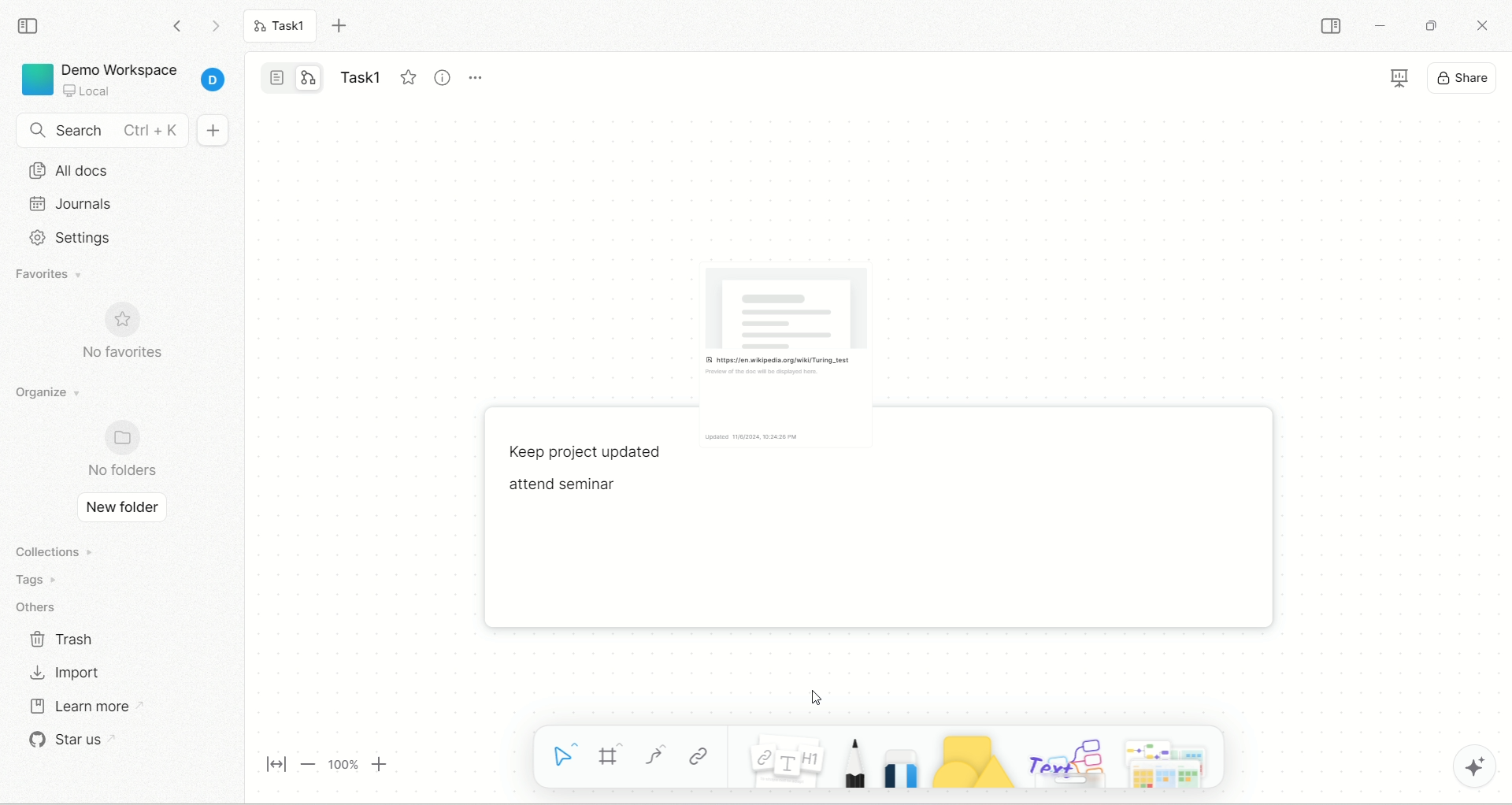 Image resolution: width=1512 pixels, height=805 pixels. What do you see at coordinates (440, 76) in the screenshot?
I see `view info` at bounding box center [440, 76].